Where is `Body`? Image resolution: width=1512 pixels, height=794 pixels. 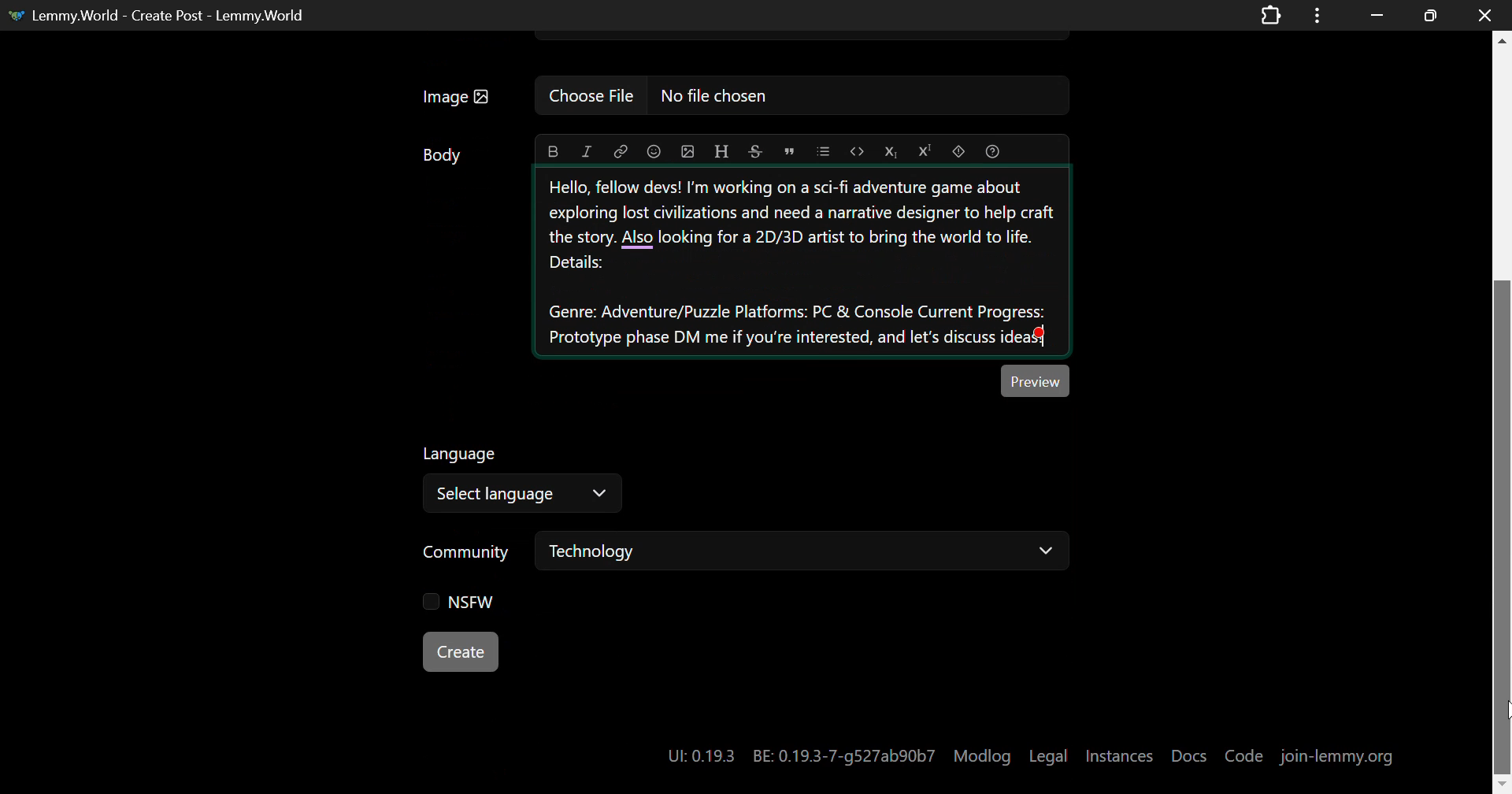
Body is located at coordinates (443, 155).